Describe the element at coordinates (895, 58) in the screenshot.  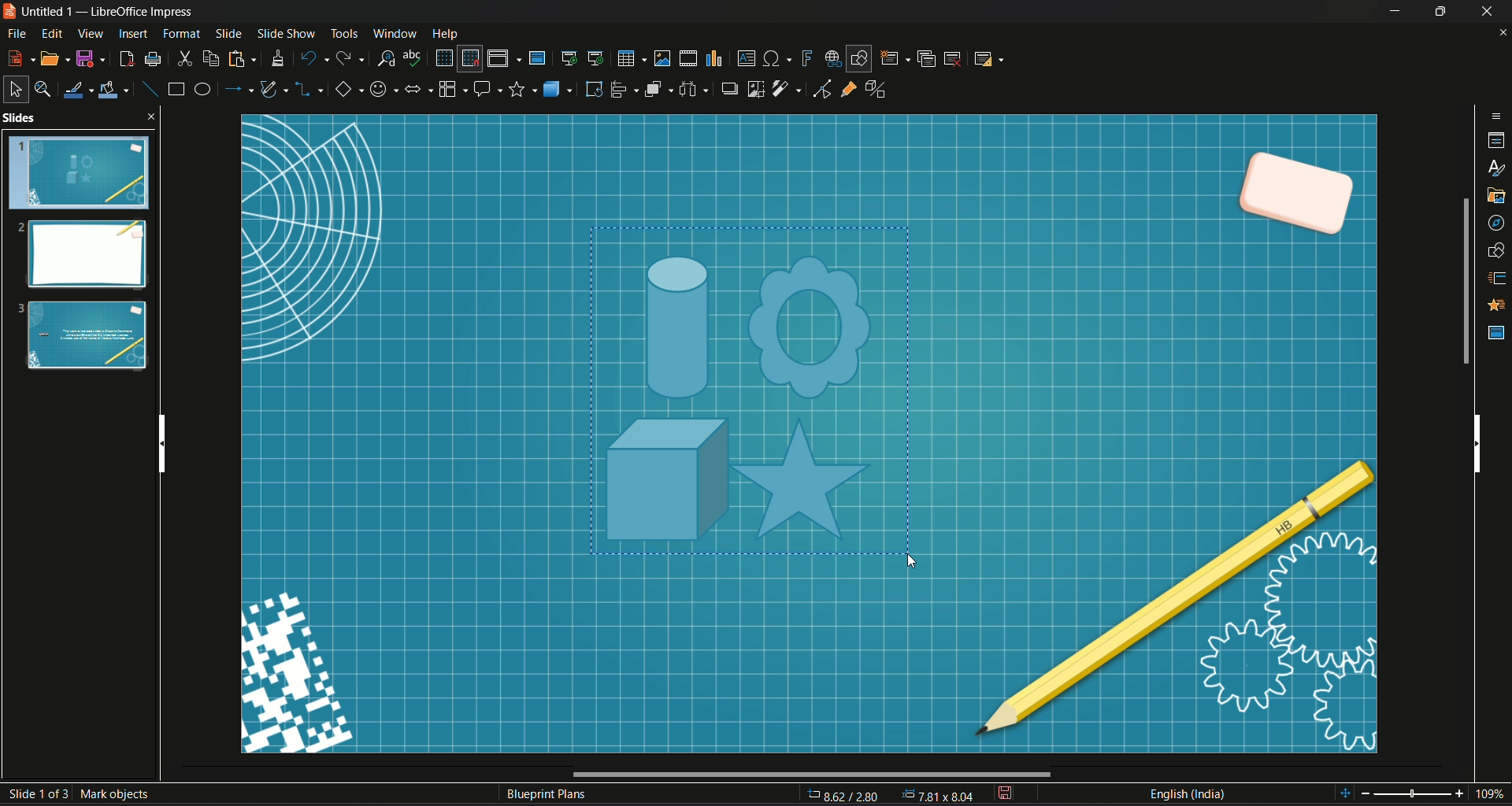
I see `new slide` at that location.